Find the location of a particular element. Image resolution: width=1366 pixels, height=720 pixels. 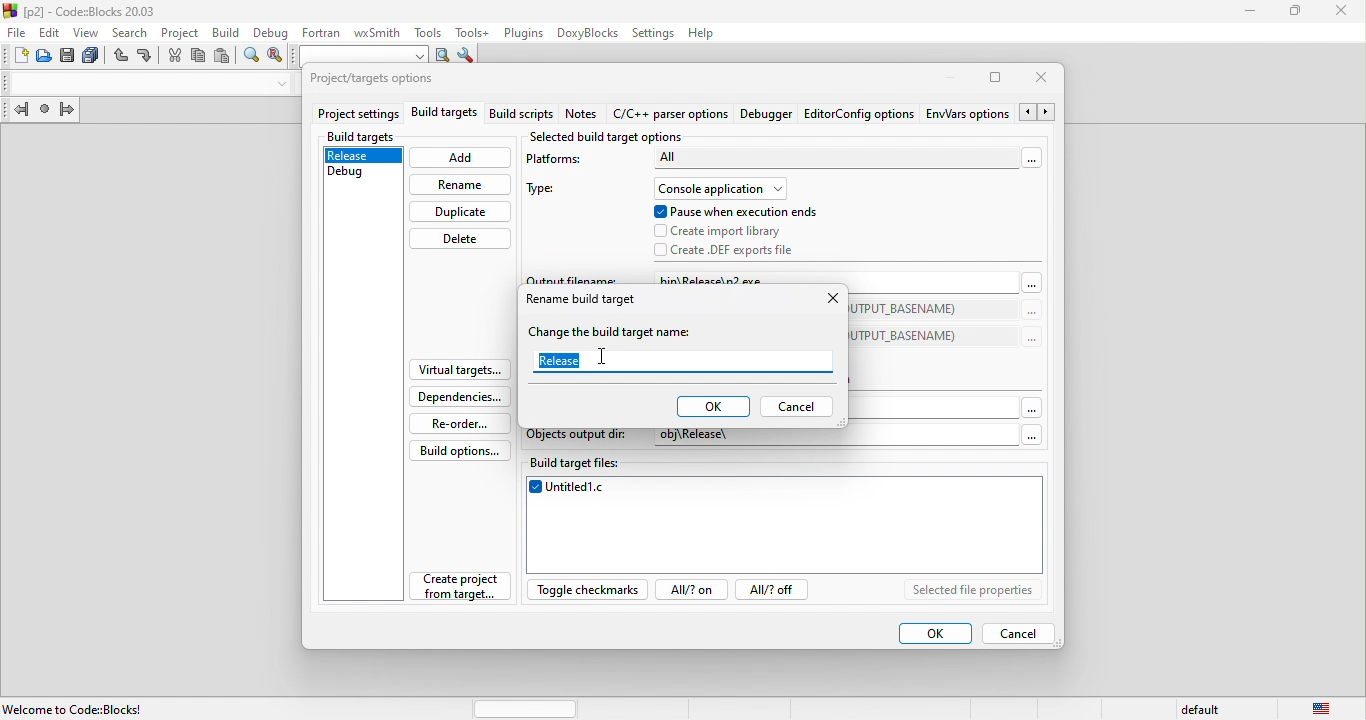

ir obj\Release\ is located at coordinates (720, 437).